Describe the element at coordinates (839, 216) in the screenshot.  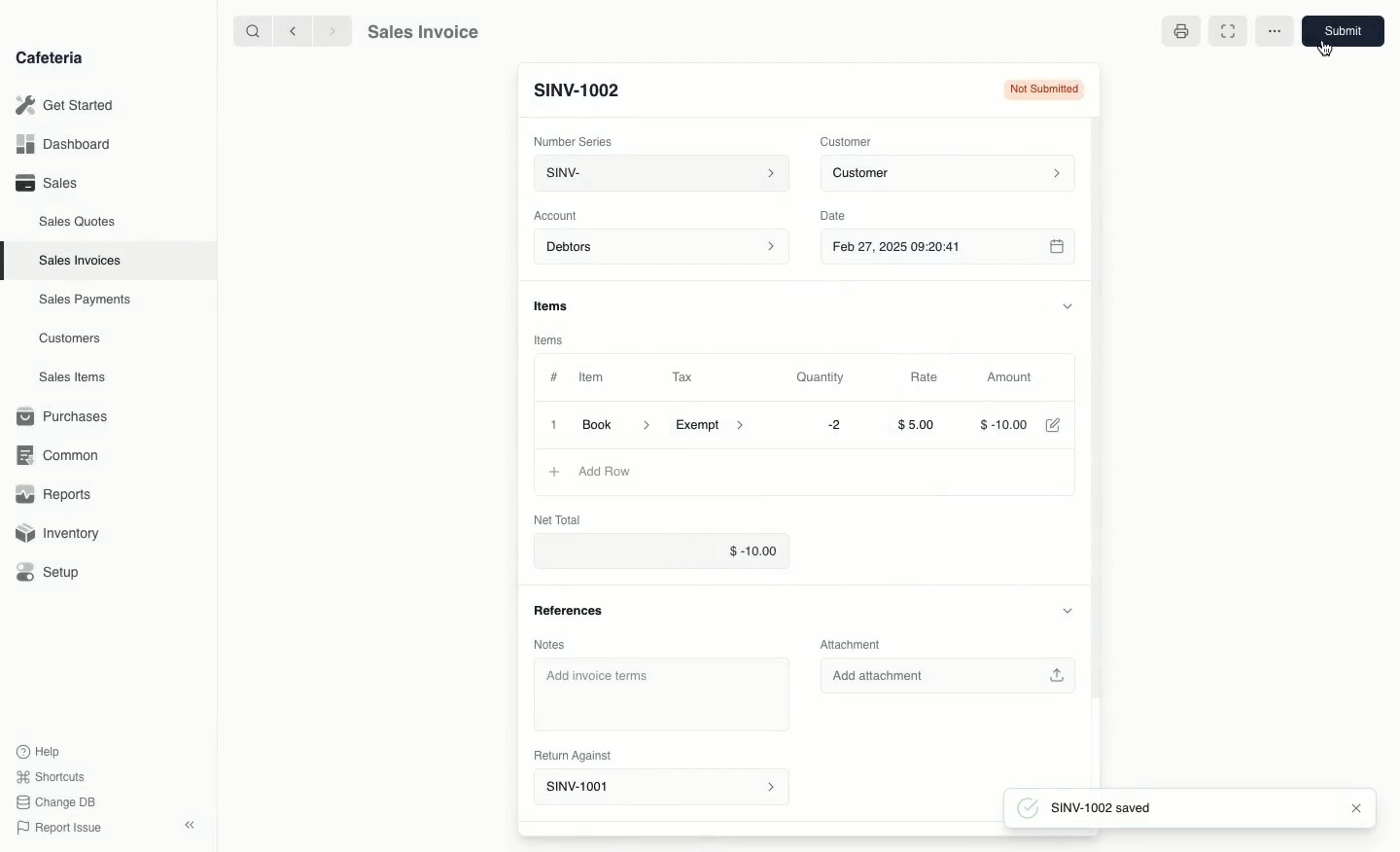
I see `Date` at that location.